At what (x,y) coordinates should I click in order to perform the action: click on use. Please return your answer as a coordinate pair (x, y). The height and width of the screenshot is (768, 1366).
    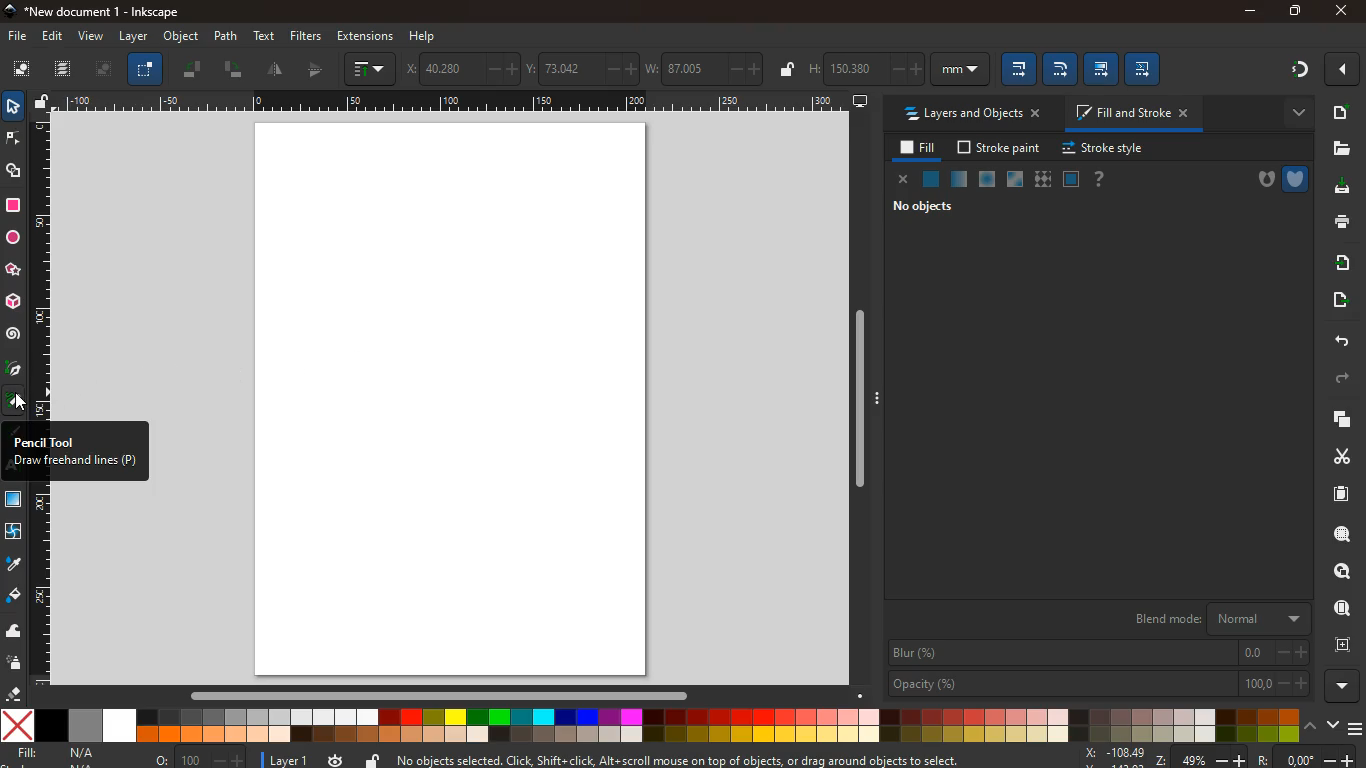
    Looking at the image, I should click on (1343, 609).